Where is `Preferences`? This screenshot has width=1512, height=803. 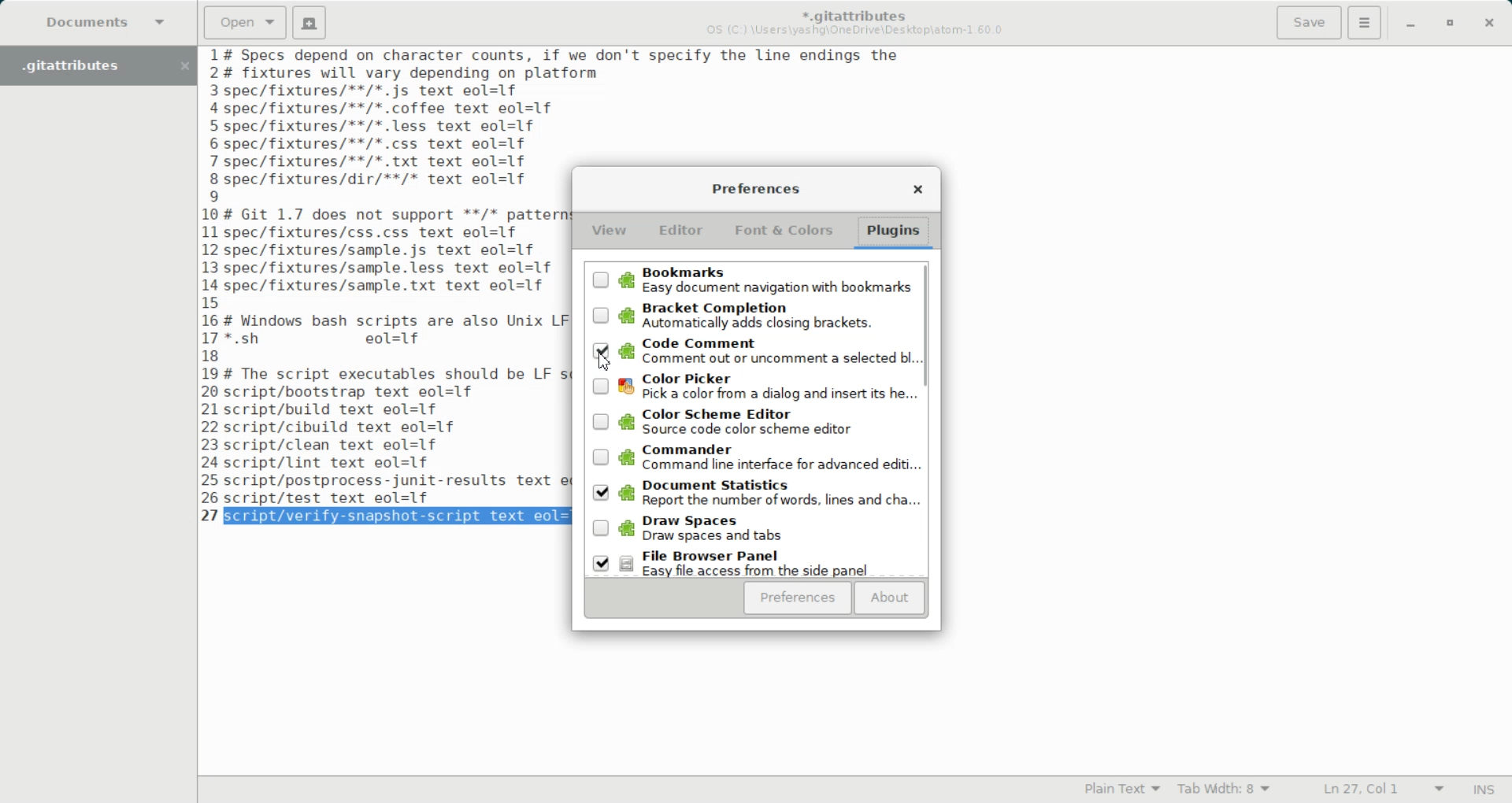
Preferences is located at coordinates (754, 188).